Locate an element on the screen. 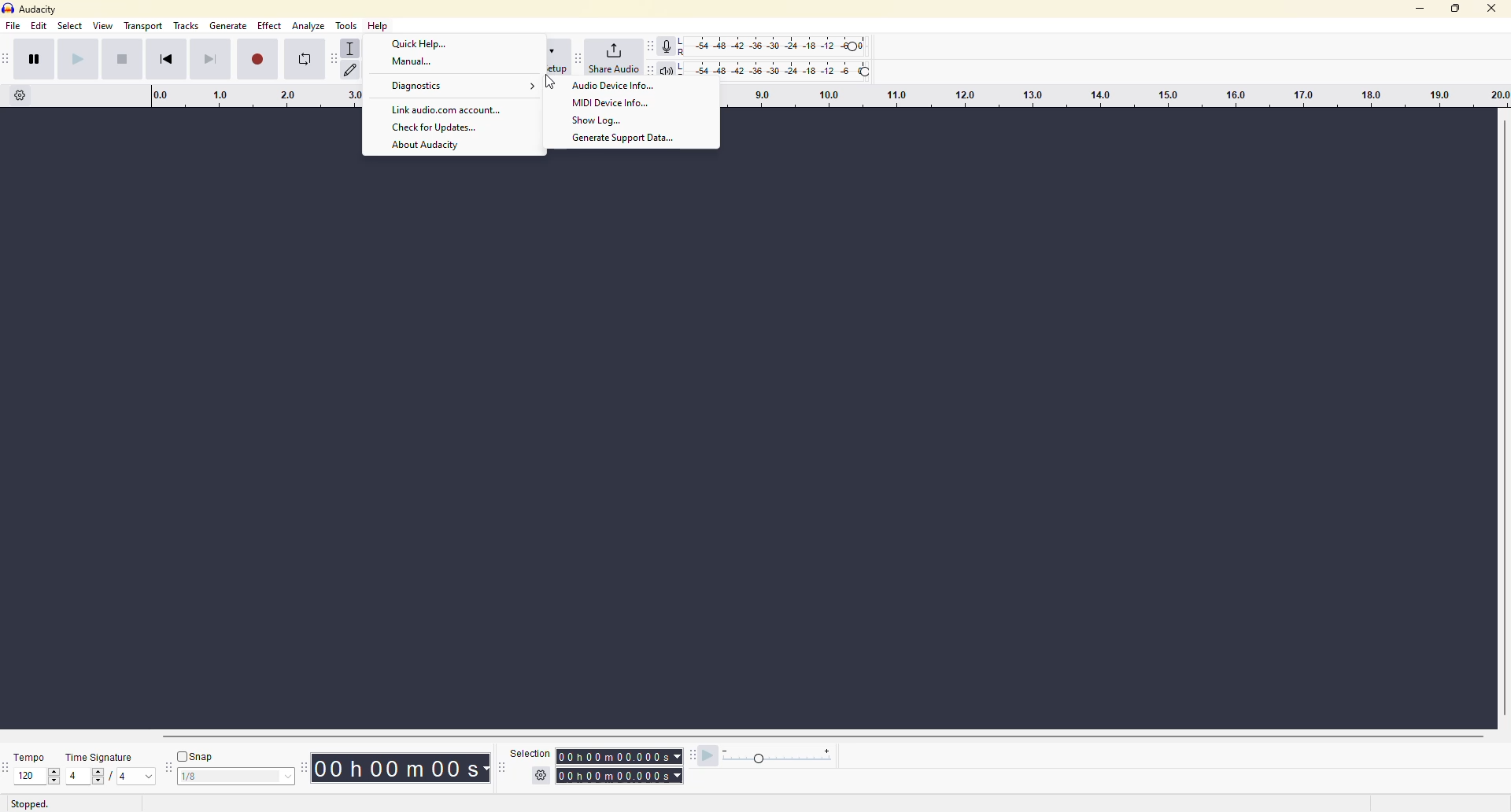  share audio is located at coordinates (622, 58).